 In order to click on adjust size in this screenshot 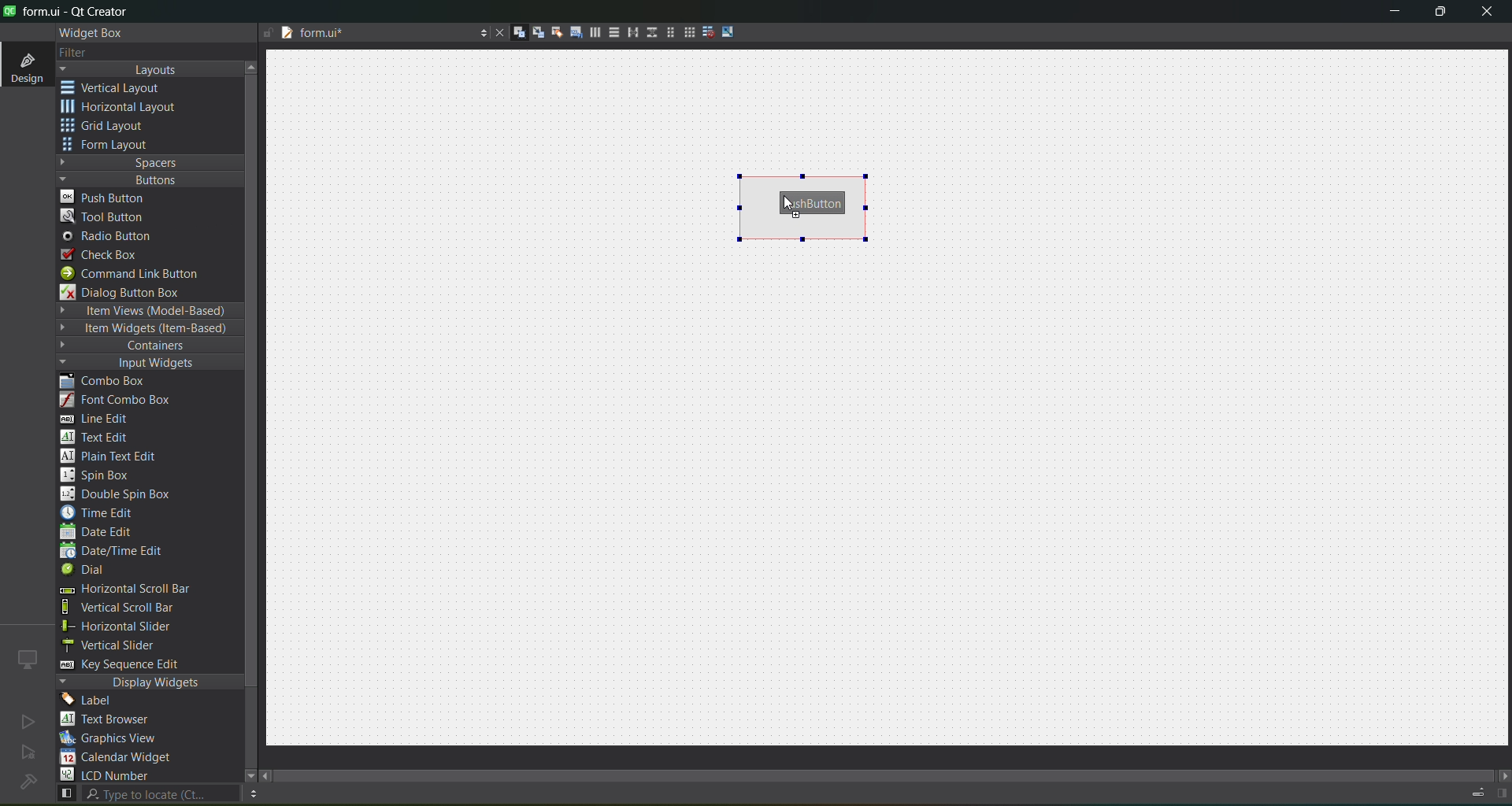, I will do `click(732, 31)`.